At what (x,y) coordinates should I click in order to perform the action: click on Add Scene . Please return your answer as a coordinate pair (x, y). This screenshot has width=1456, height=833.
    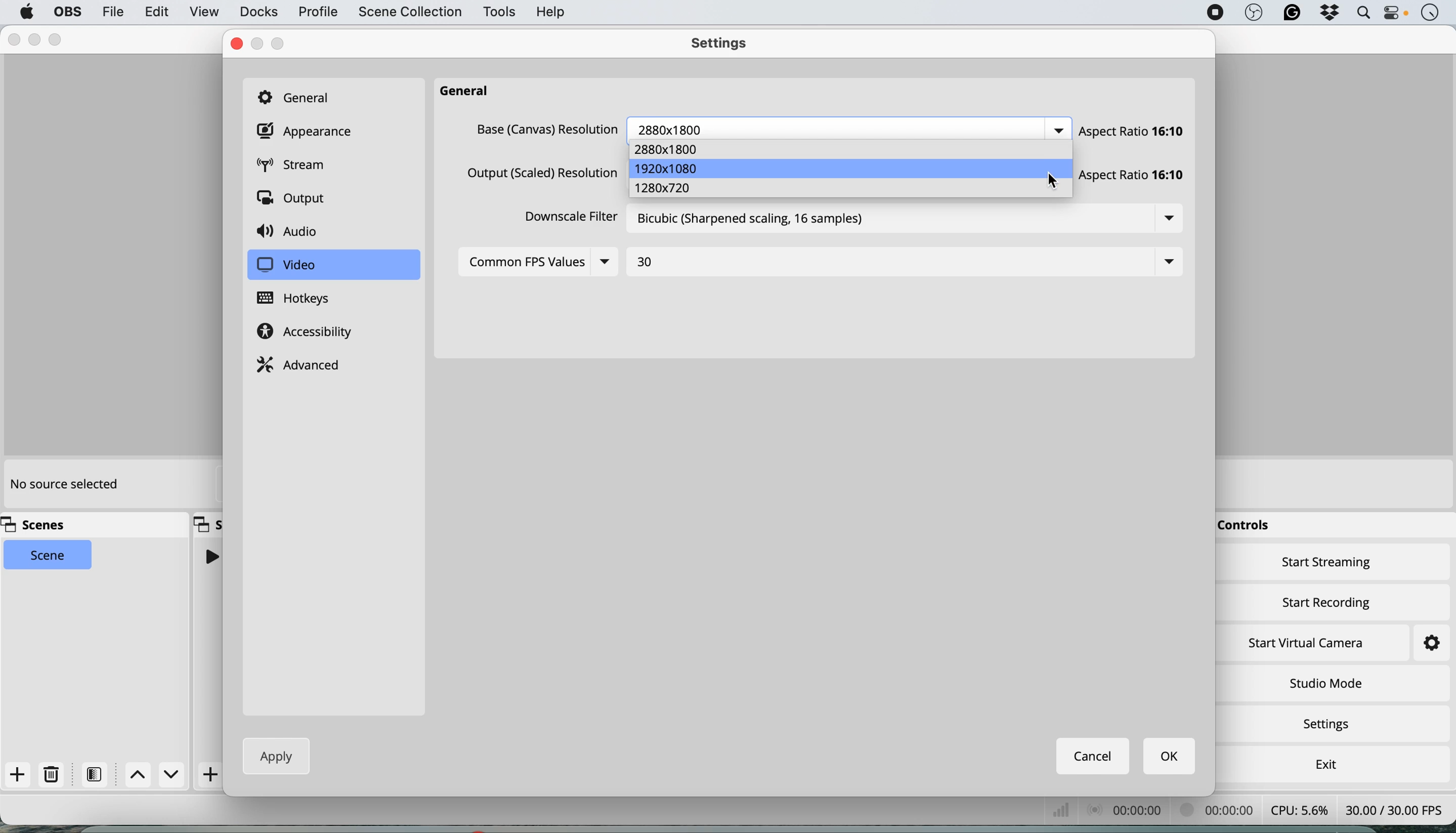
    Looking at the image, I should click on (212, 775).